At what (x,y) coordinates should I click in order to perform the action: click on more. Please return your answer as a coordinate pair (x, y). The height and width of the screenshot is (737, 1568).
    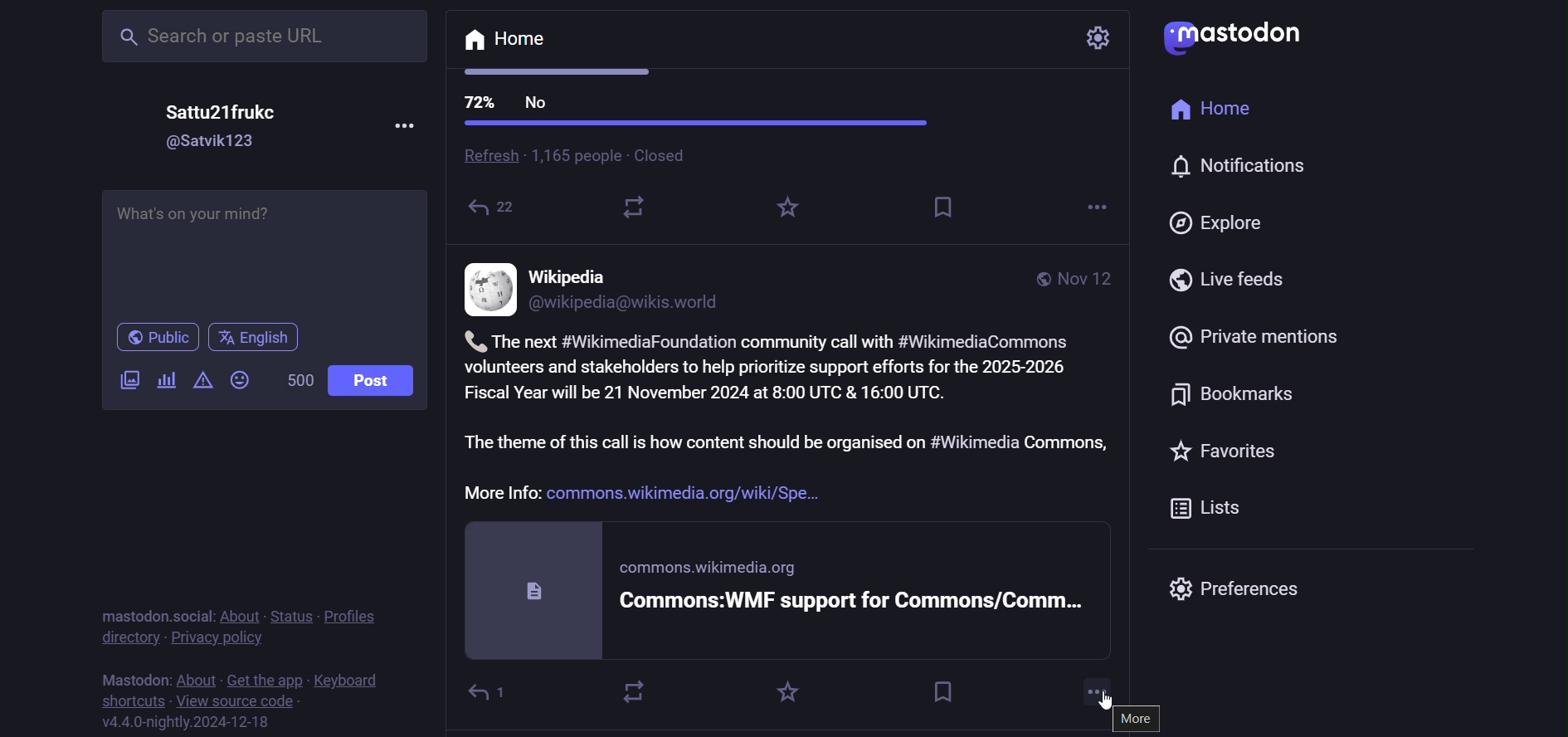
    Looking at the image, I should click on (1141, 720).